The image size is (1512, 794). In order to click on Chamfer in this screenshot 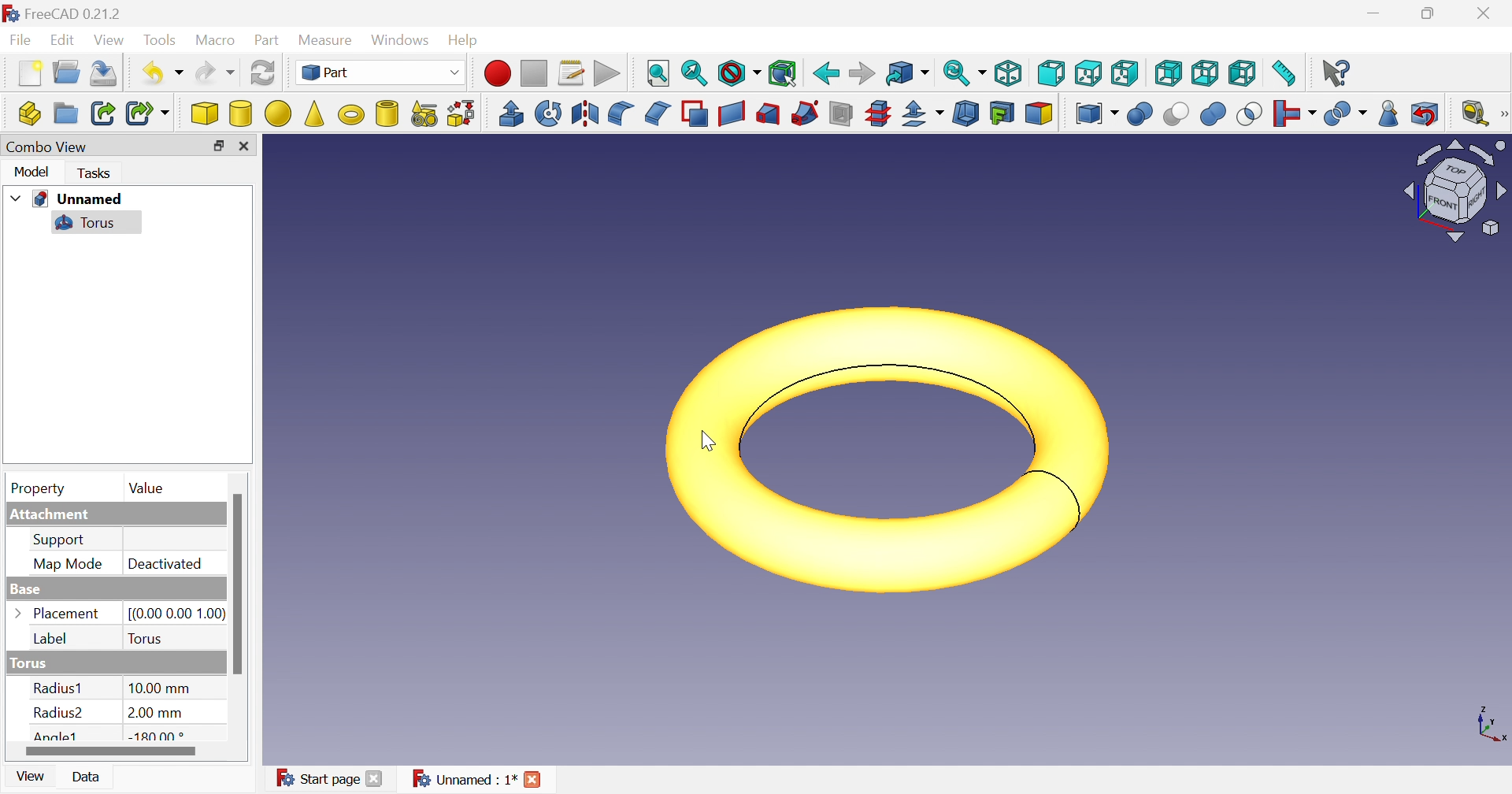, I will do `click(655, 114)`.